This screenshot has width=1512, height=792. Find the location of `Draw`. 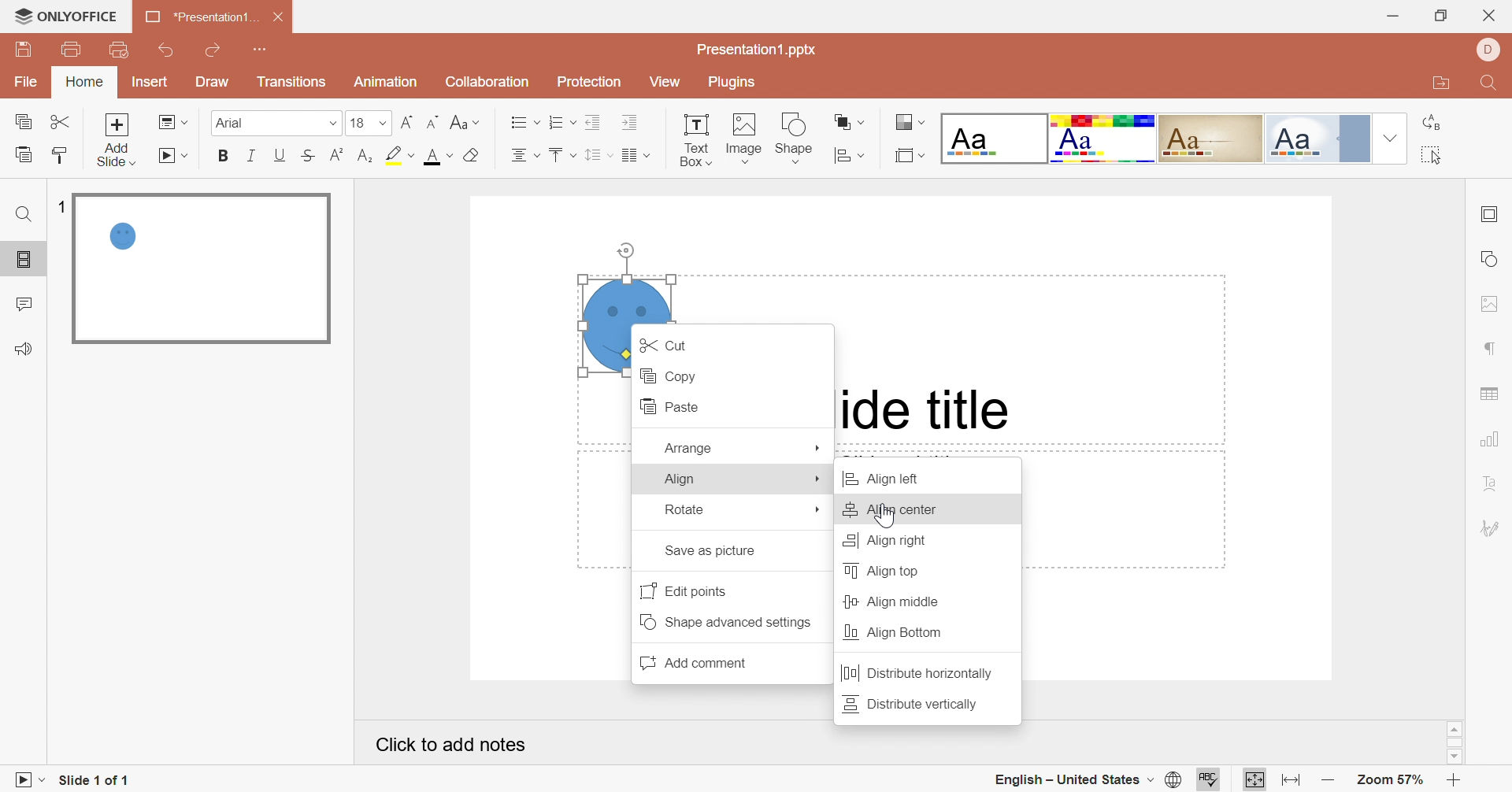

Draw is located at coordinates (213, 83).